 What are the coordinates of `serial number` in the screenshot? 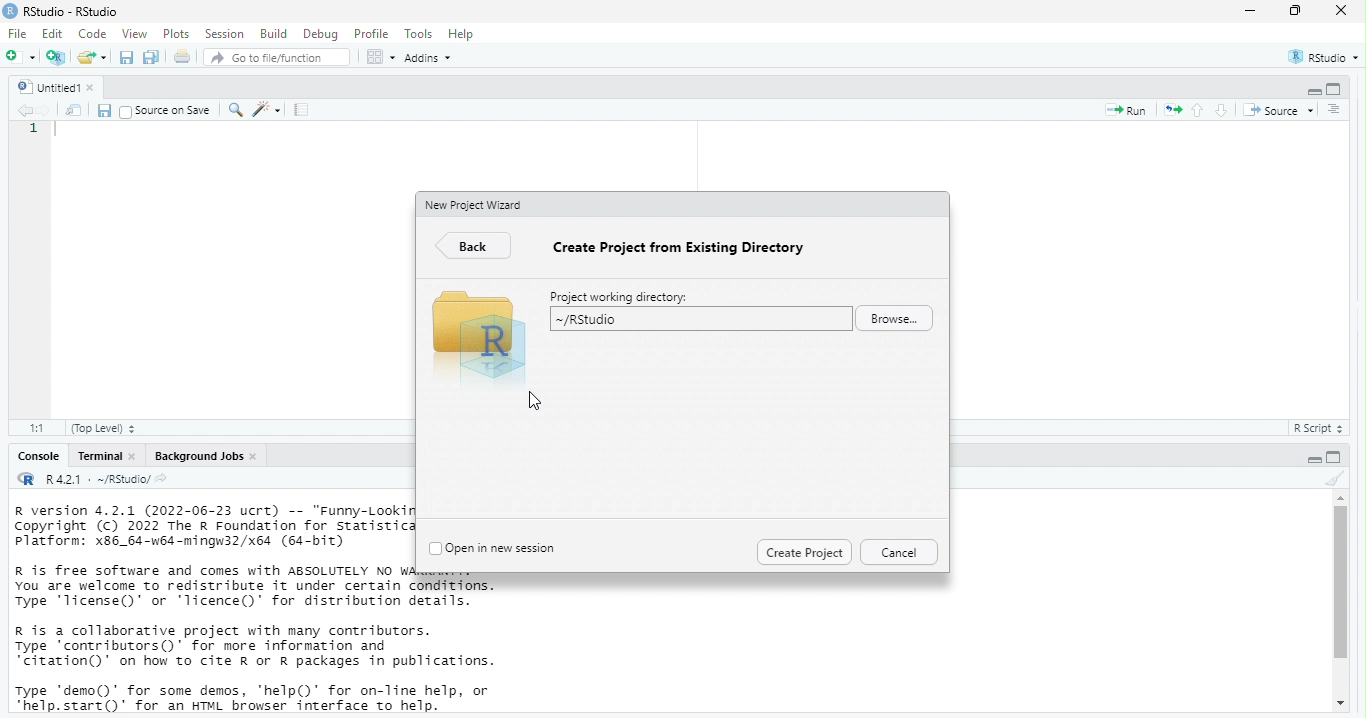 It's located at (34, 135).